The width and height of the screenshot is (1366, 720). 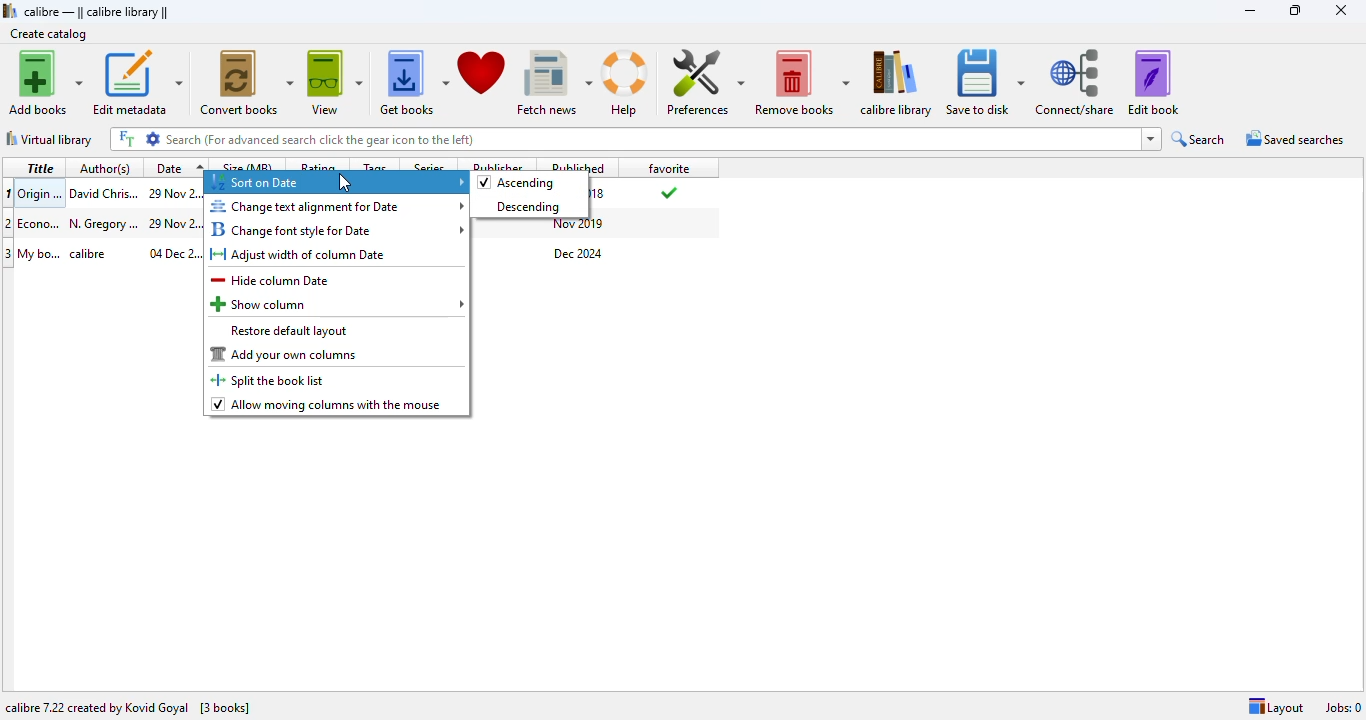 What do you see at coordinates (40, 193) in the screenshot?
I see `title` at bounding box center [40, 193].